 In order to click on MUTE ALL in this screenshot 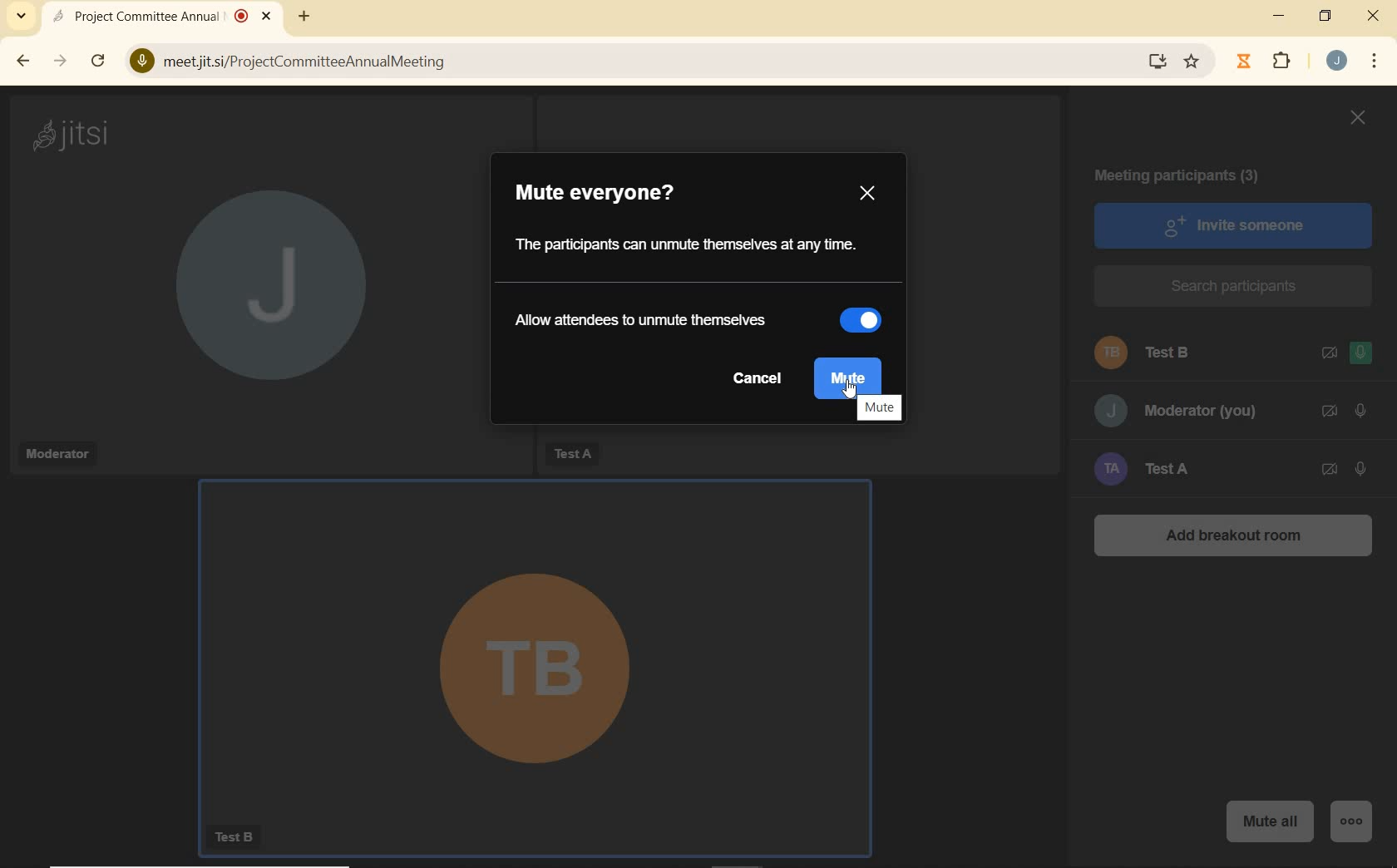, I will do `click(1270, 818)`.